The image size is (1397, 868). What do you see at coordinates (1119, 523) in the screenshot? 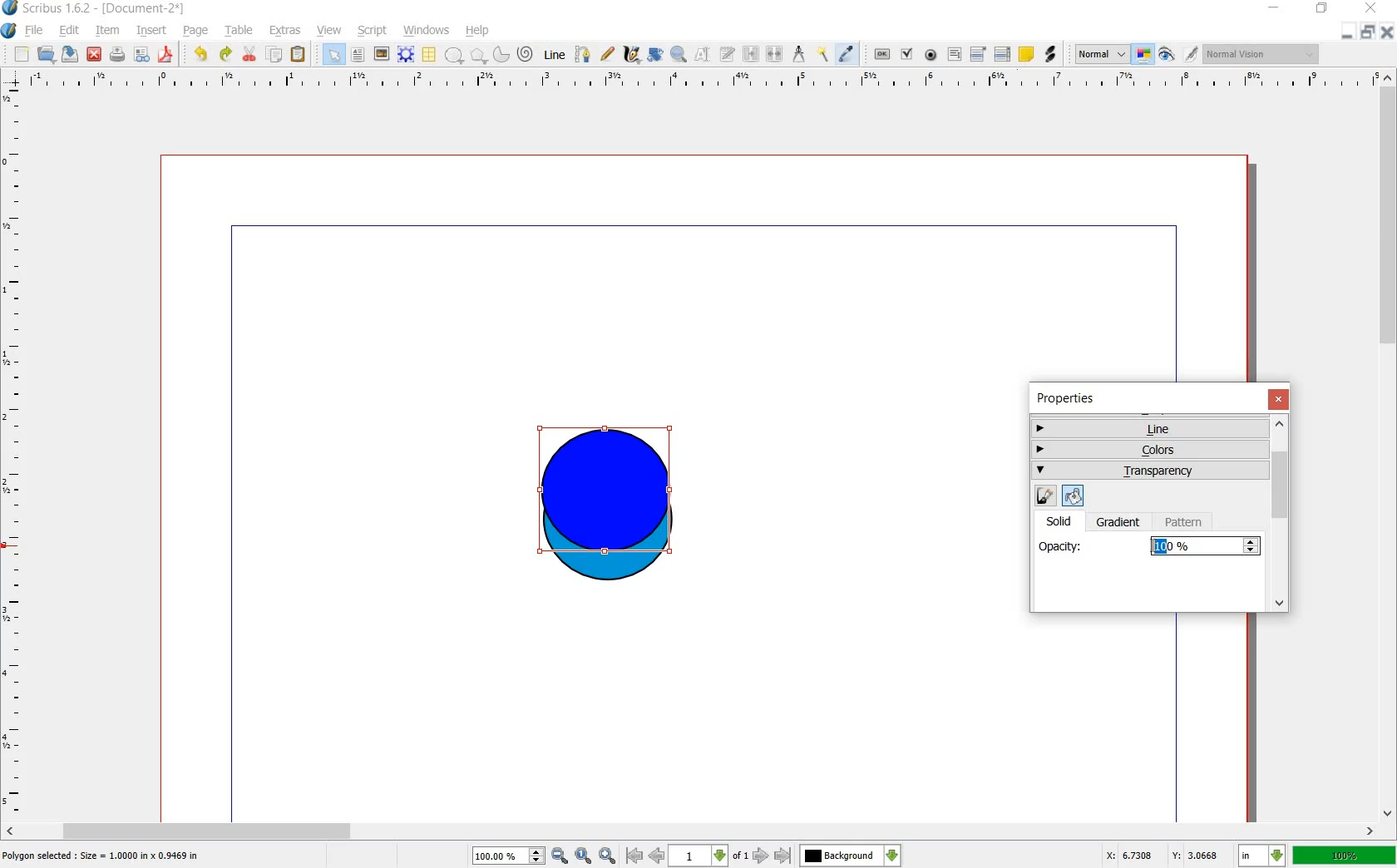
I see `gradient` at bounding box center [1119, 523].